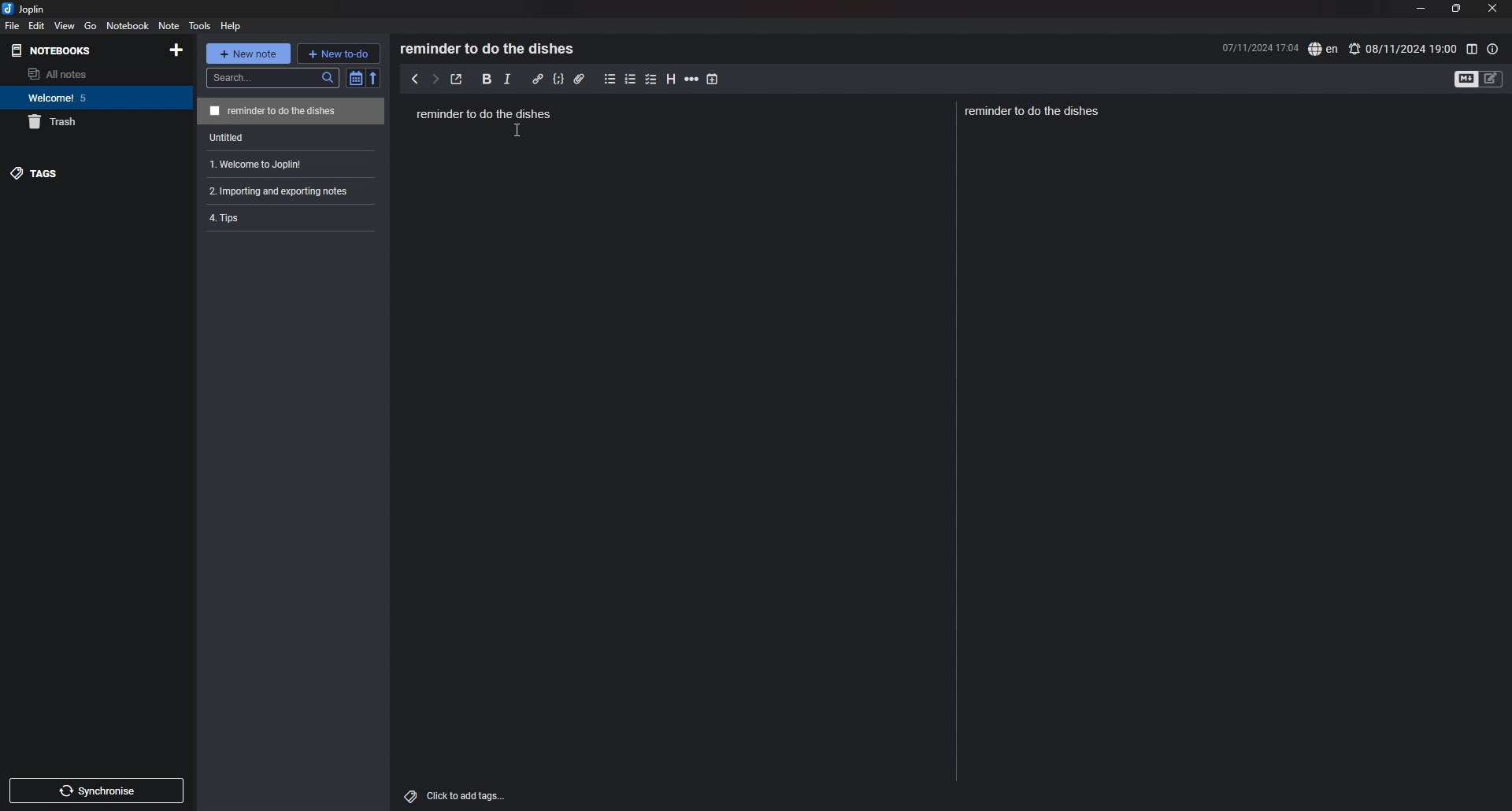  Describe the element at coordinates (232, 27) in the screenshot. I see `help` at that location.